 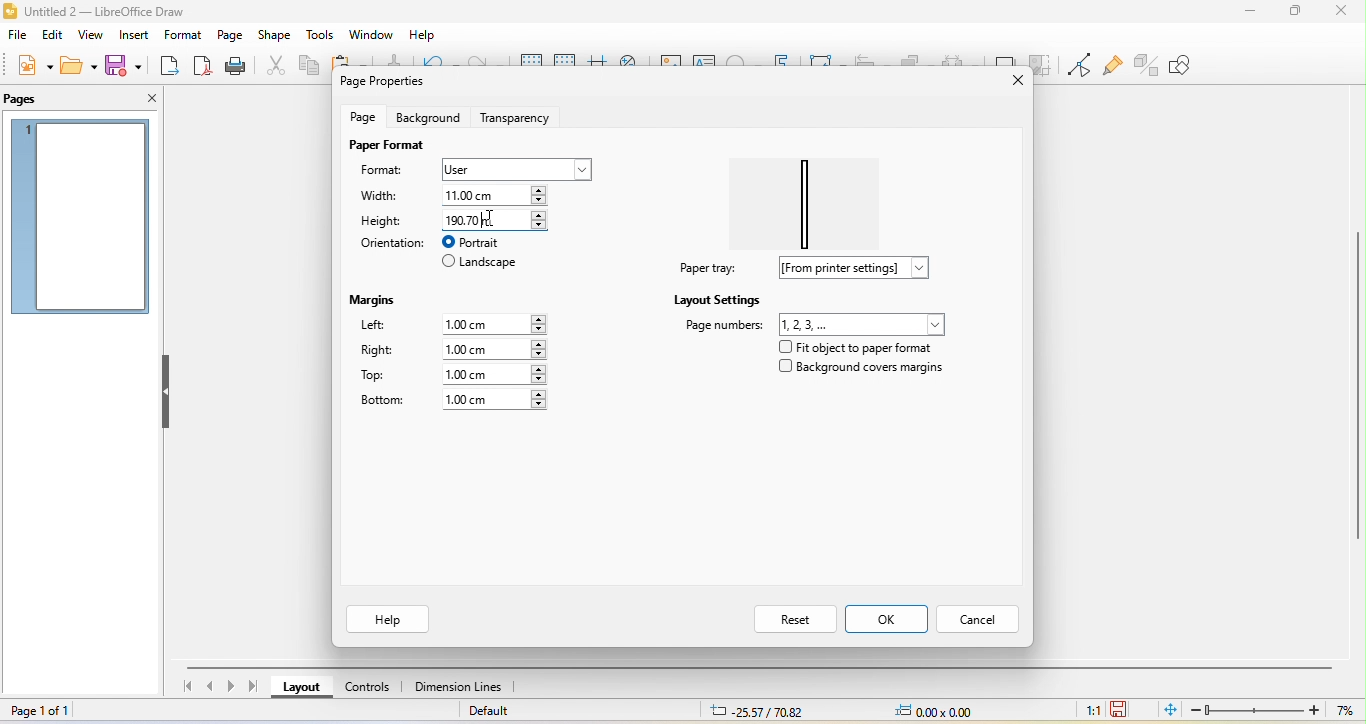 I want to click on shape, so click(x=275, y=36).